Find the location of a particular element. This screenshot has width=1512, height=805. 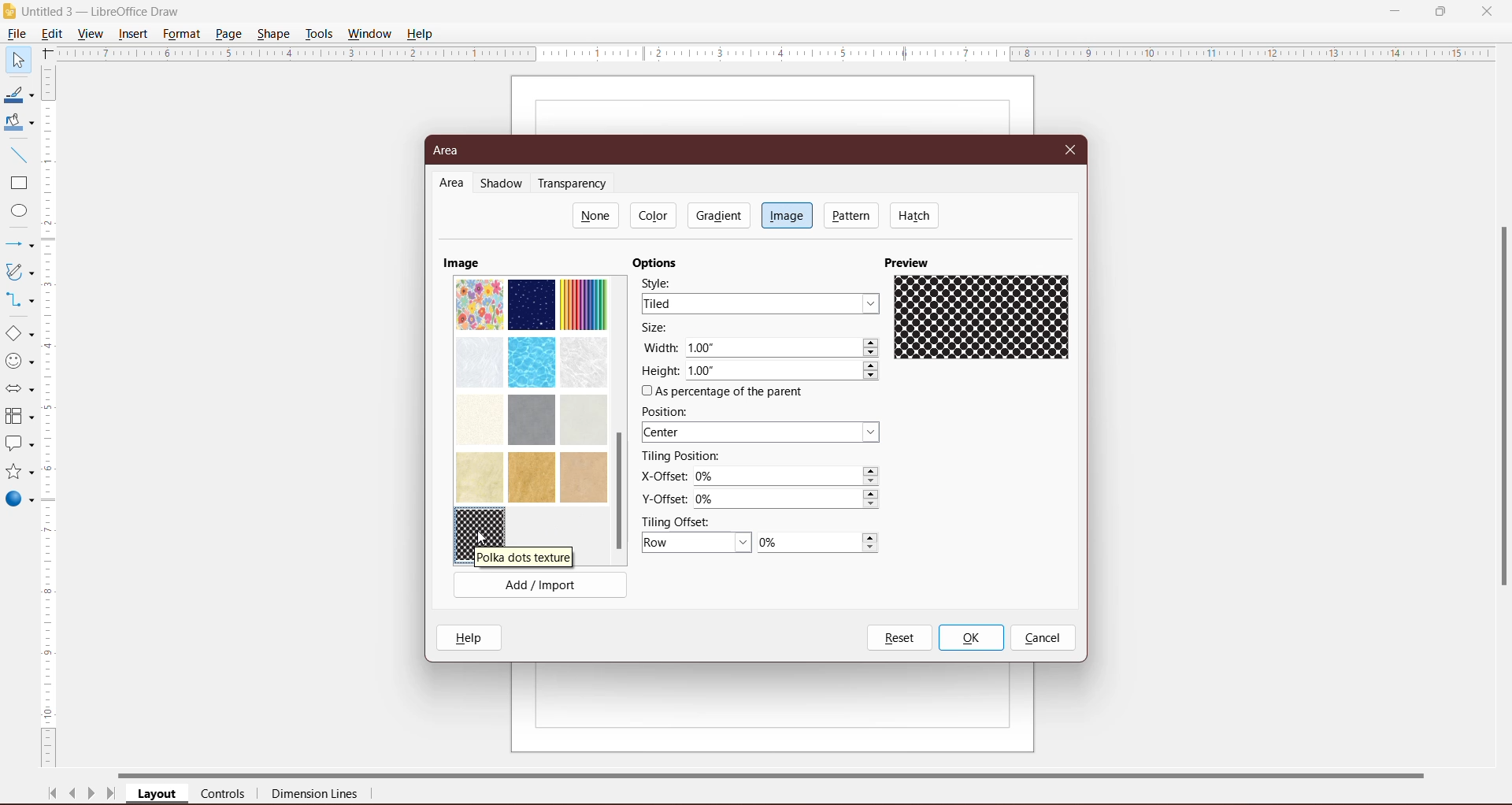

Hatch is located at coordinates (915, 215).